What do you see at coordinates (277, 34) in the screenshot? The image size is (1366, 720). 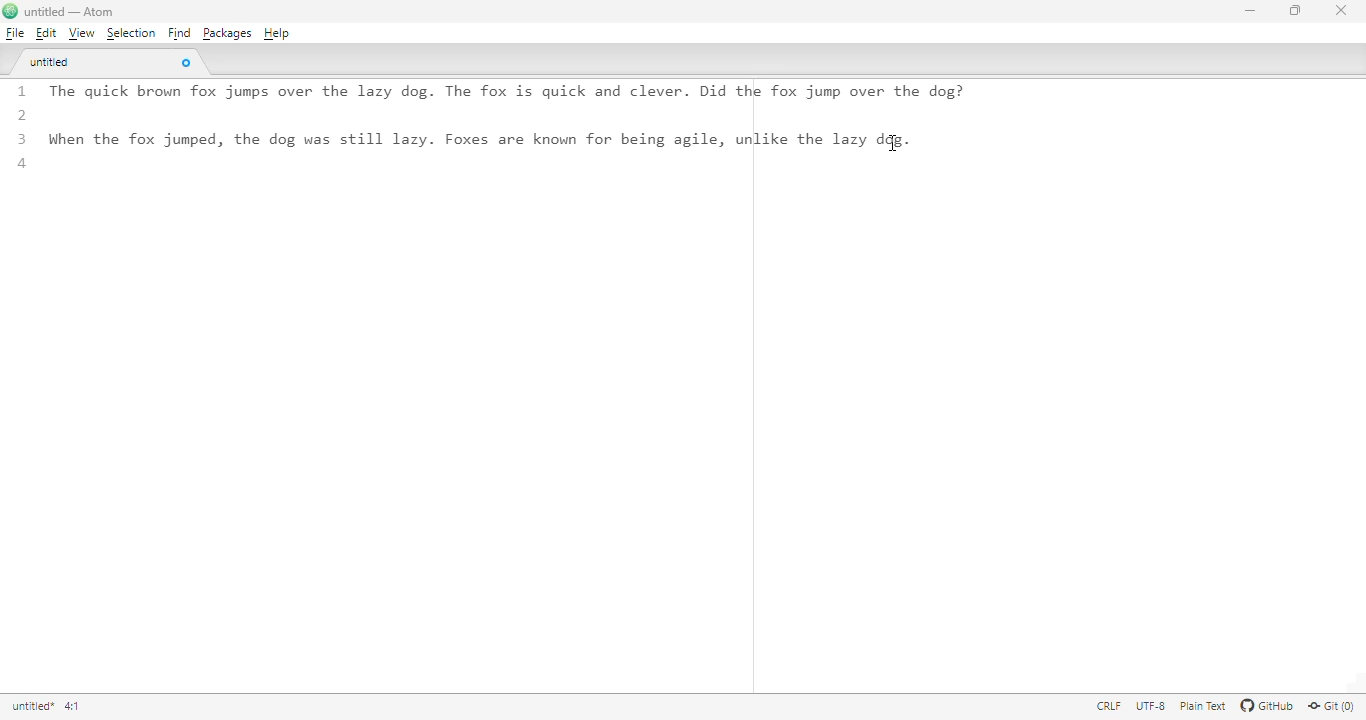 I see `help` at bounding box center [277, 34].